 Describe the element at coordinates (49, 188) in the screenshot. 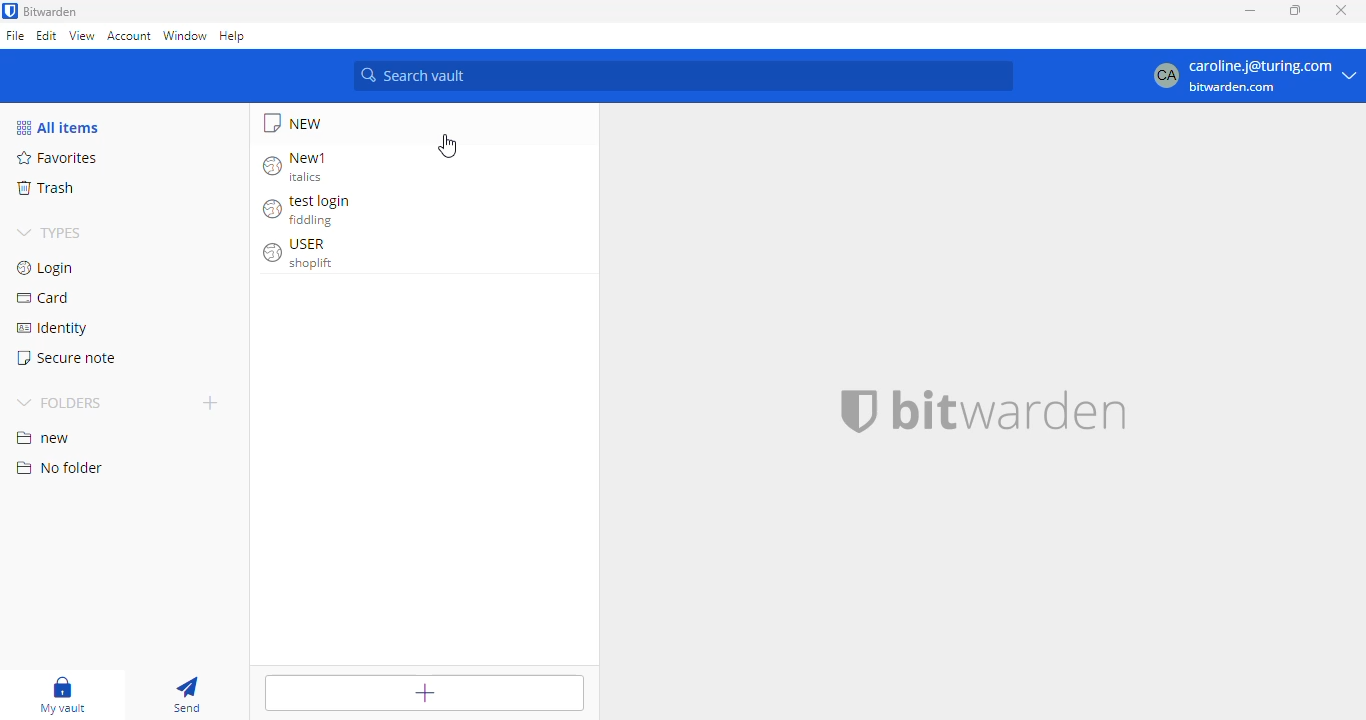

I see `trash` at that location.